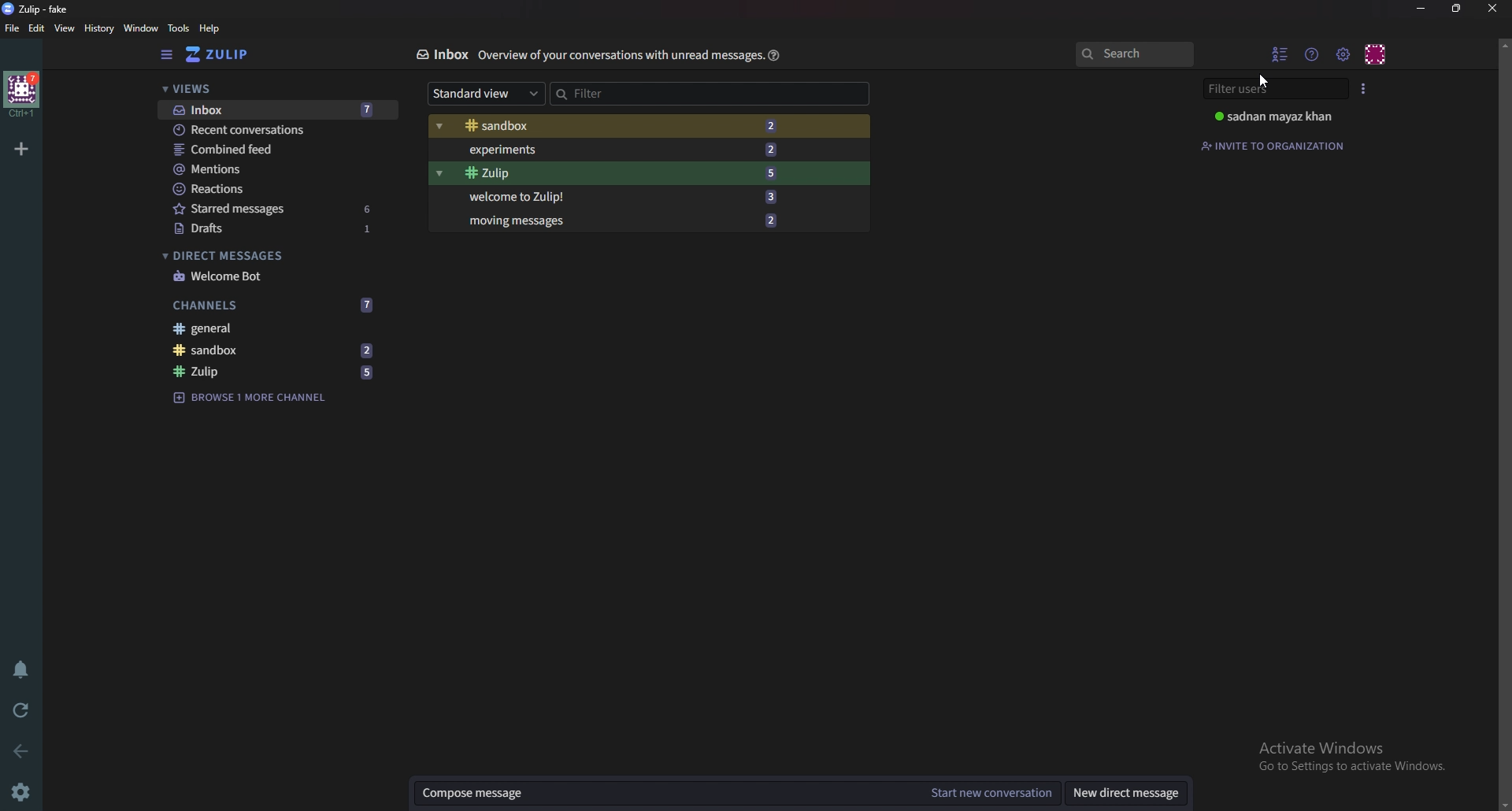 This screenshot has height=811, width=1512. I want to click on Moving messages, so click(636, 220).